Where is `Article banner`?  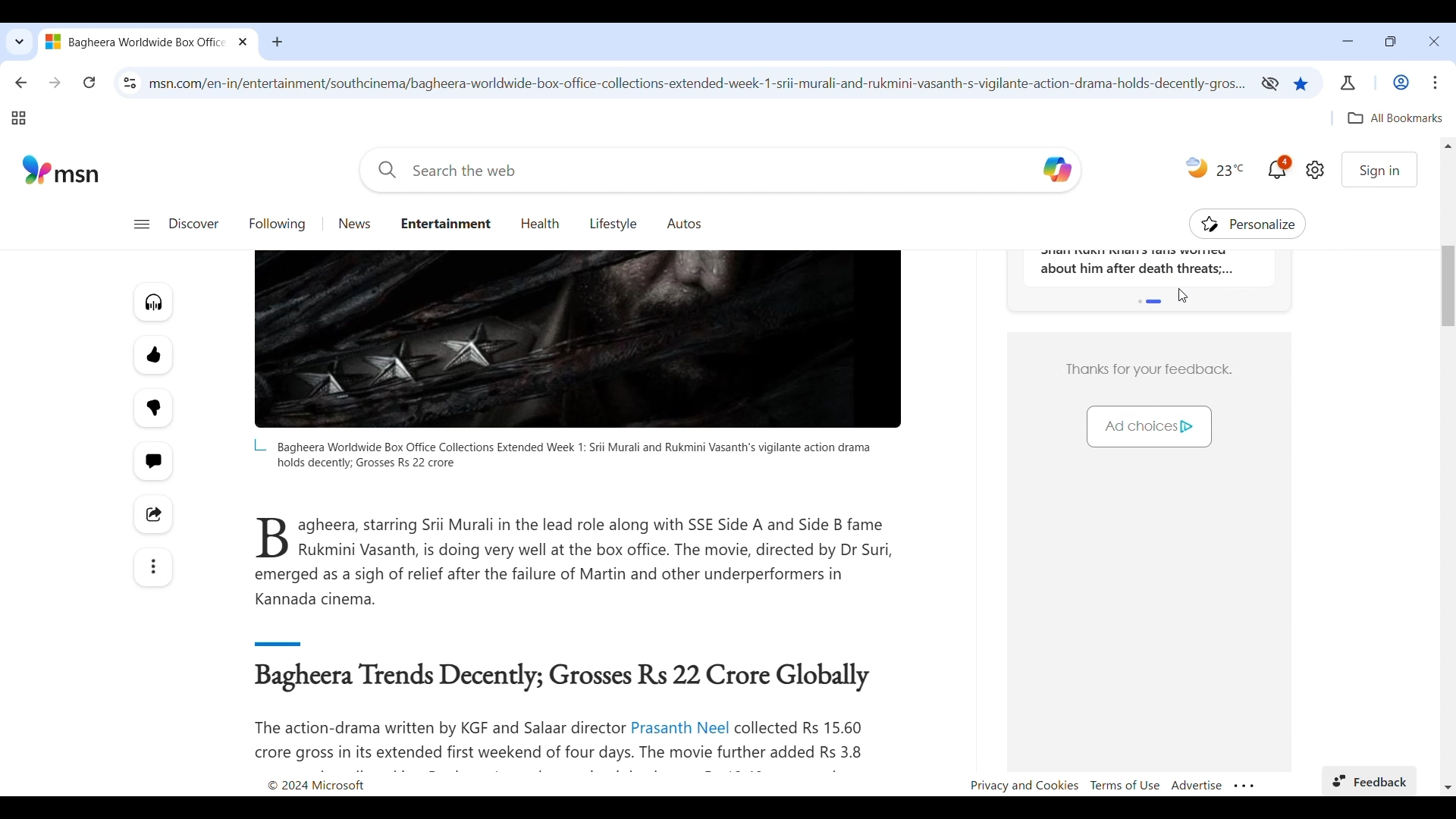
Article banner is located at coordinates (578, 340).